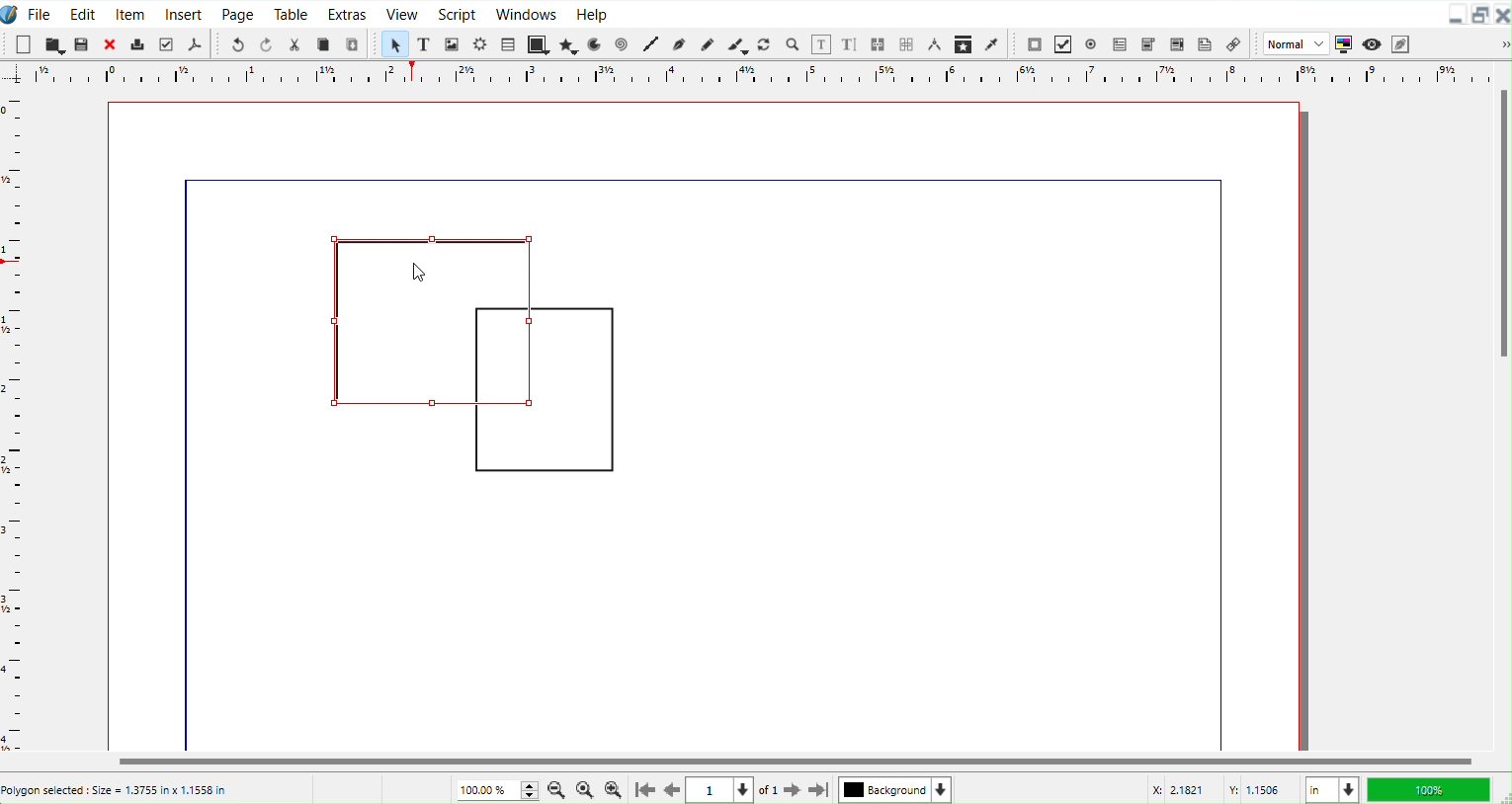 This screenshot has width=1512, height=804. What do you see at coordinates (237, 43) in the screenshot?
I see `Undo` at bounding box center [237, 43].